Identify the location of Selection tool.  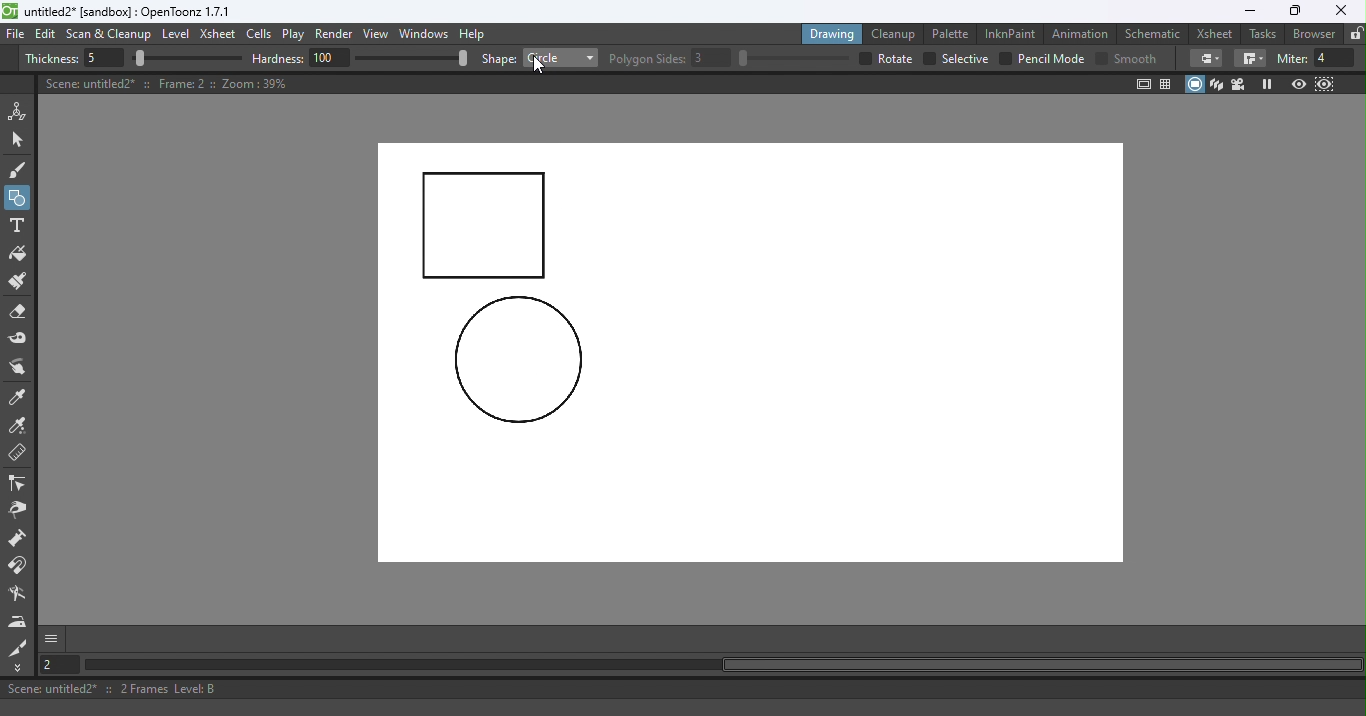
(21, 139).